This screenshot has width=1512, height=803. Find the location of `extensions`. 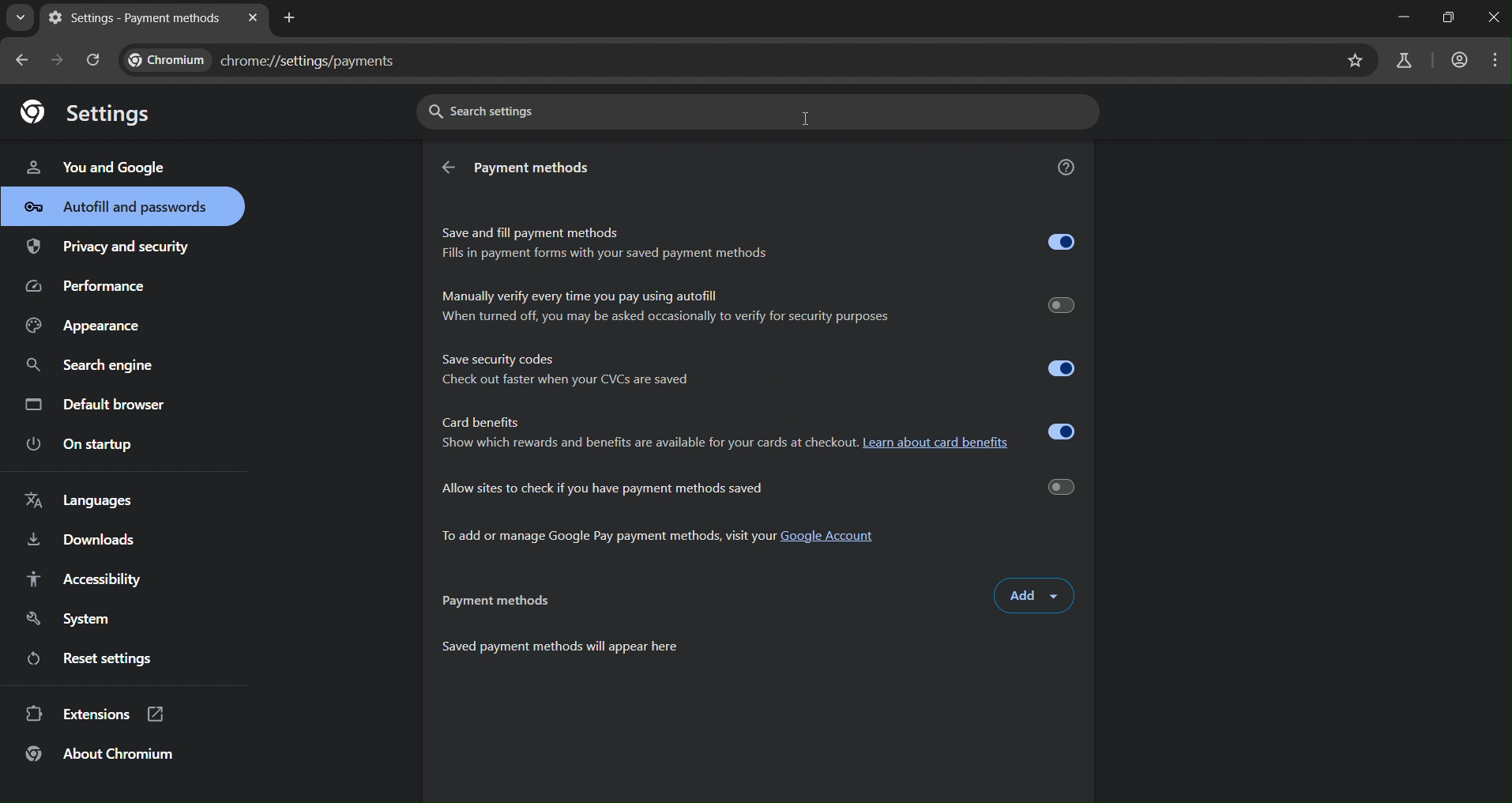

extensions is located at coordinates (96, 714).